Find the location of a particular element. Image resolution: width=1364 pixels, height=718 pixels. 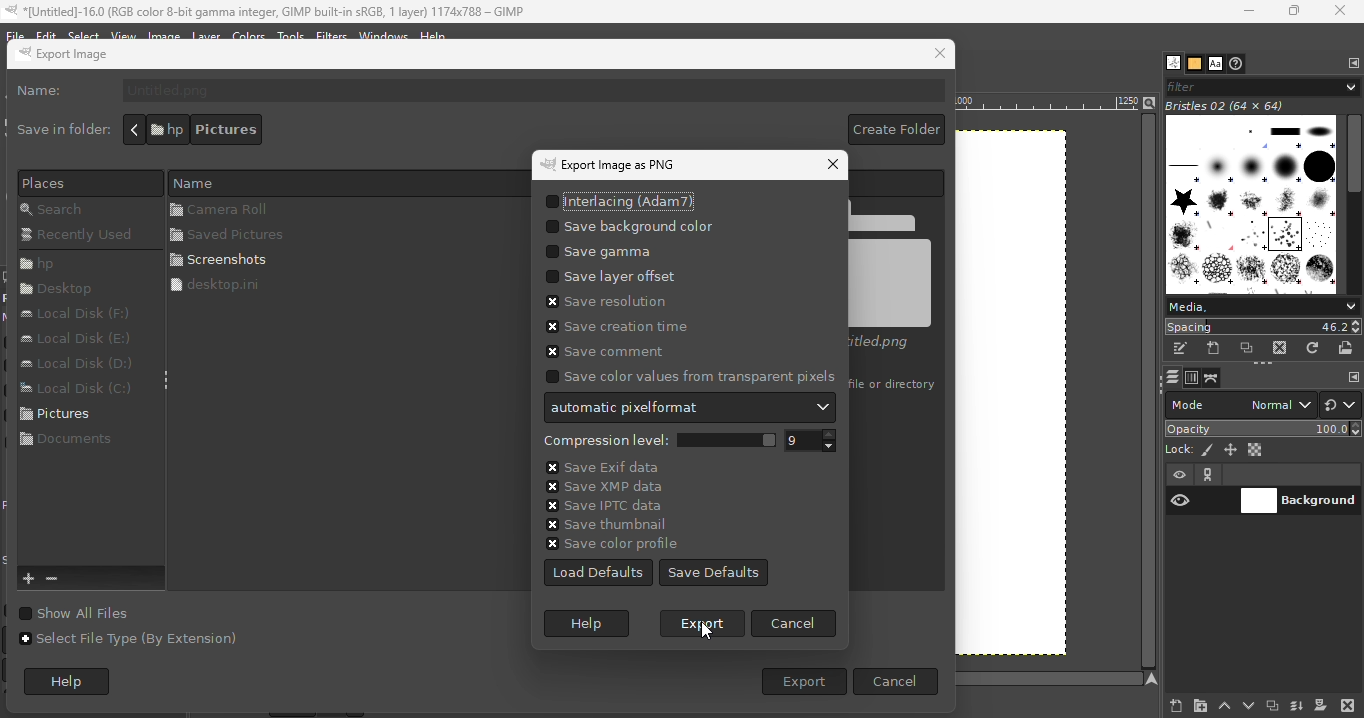

Merge all visible layers with the last used values is located at coordinates (1296, 706).